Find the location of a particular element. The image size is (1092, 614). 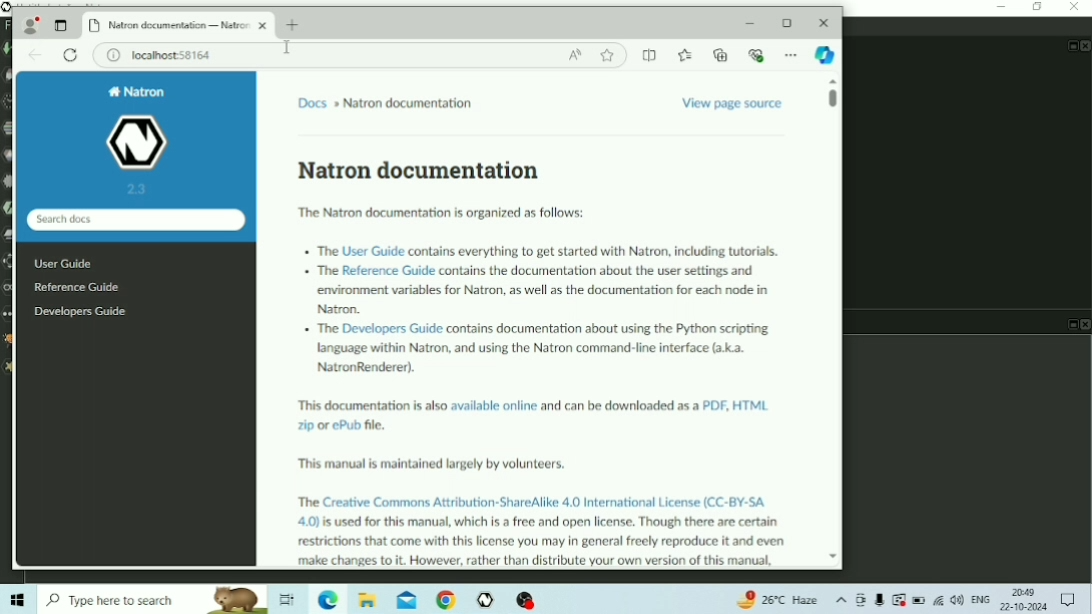

Vertical scrollbar is located at coordinates (833, 98).